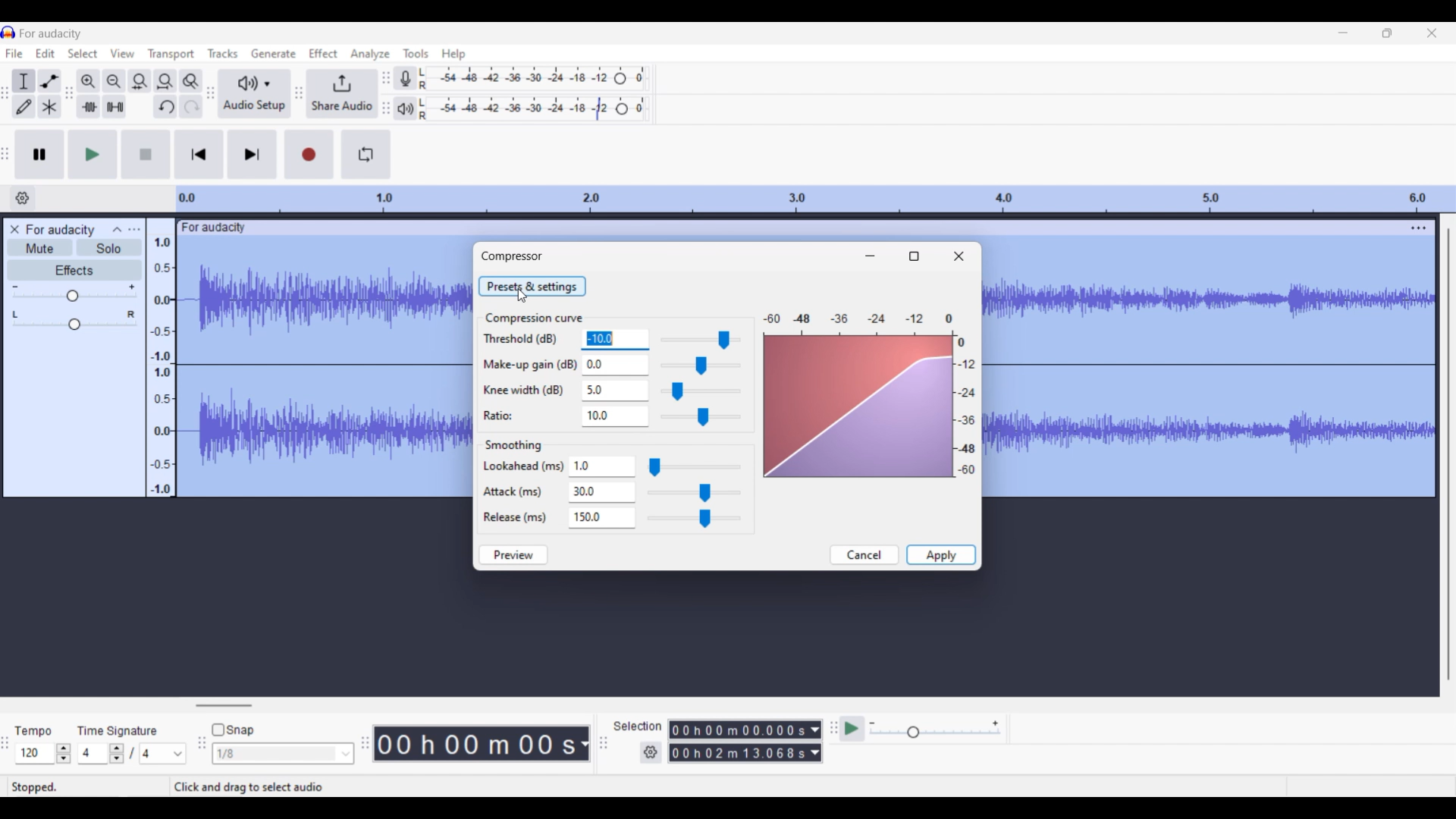 This screenshot has width=1456, height=819. Describe the element at coordinates (369, 54) in the screenshot. I see `Analyze` at that location.